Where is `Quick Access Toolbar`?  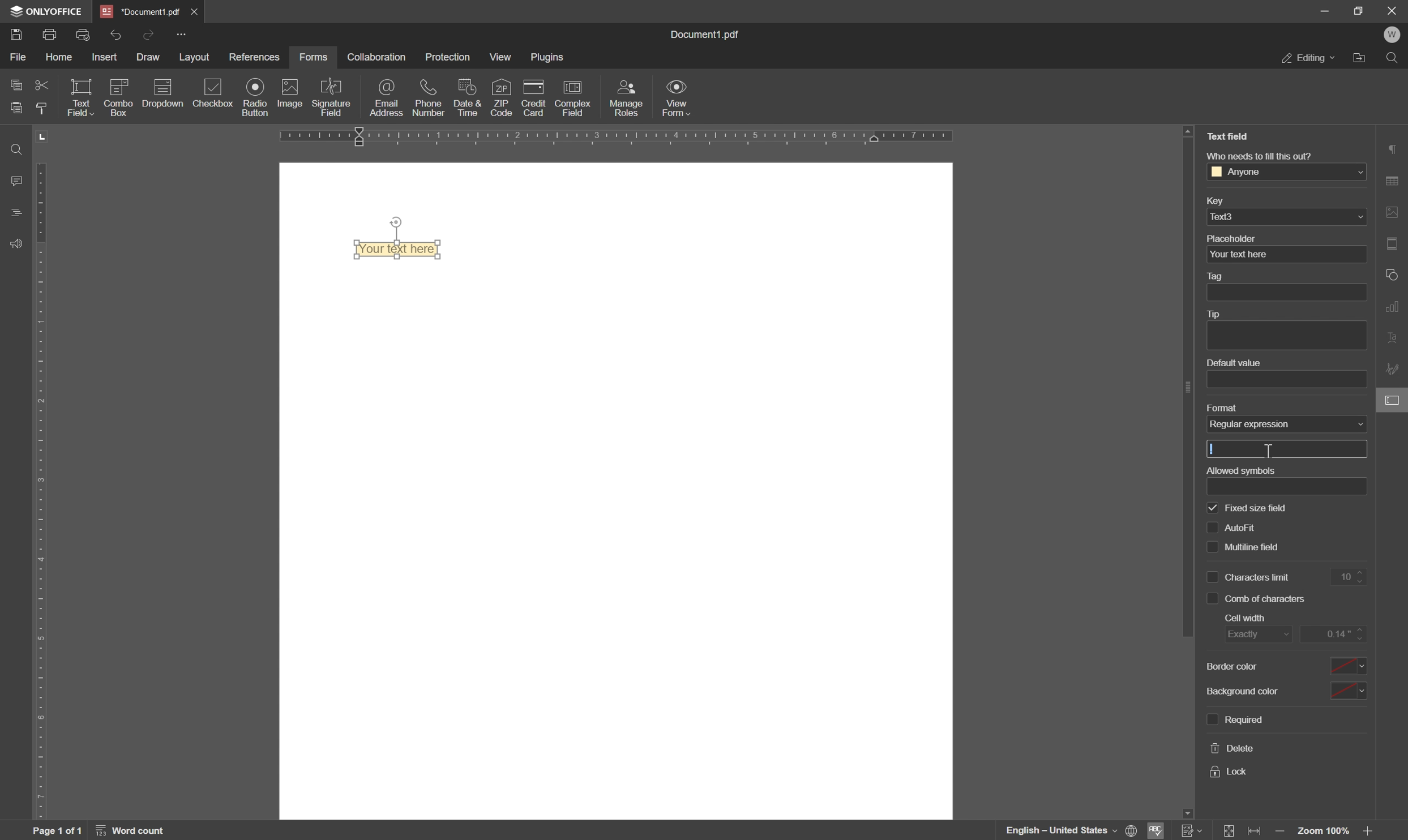
Quick Access Toolbar is located at coordinates (181, 34).